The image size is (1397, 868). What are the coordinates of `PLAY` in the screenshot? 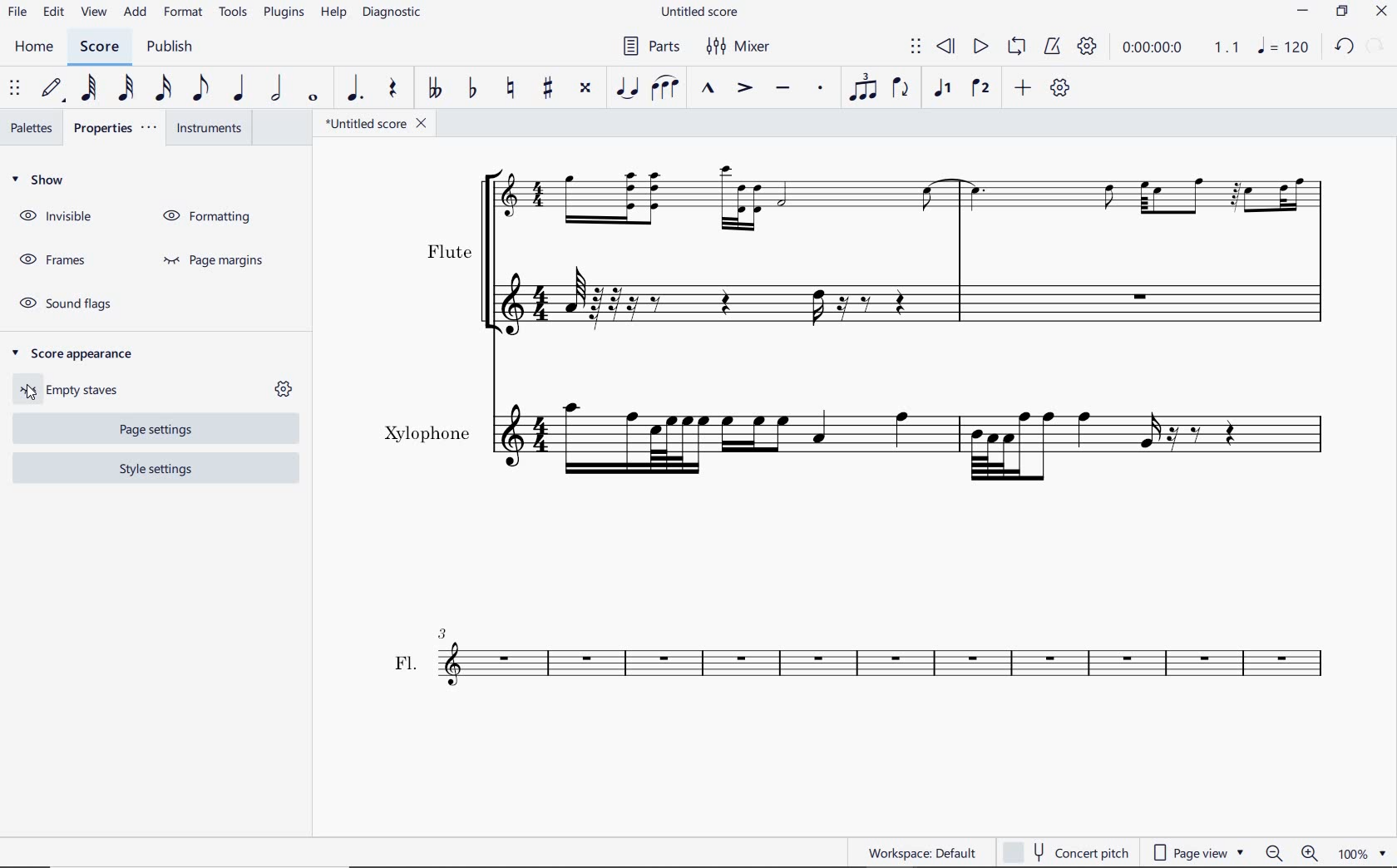 It's located at (977, 48).